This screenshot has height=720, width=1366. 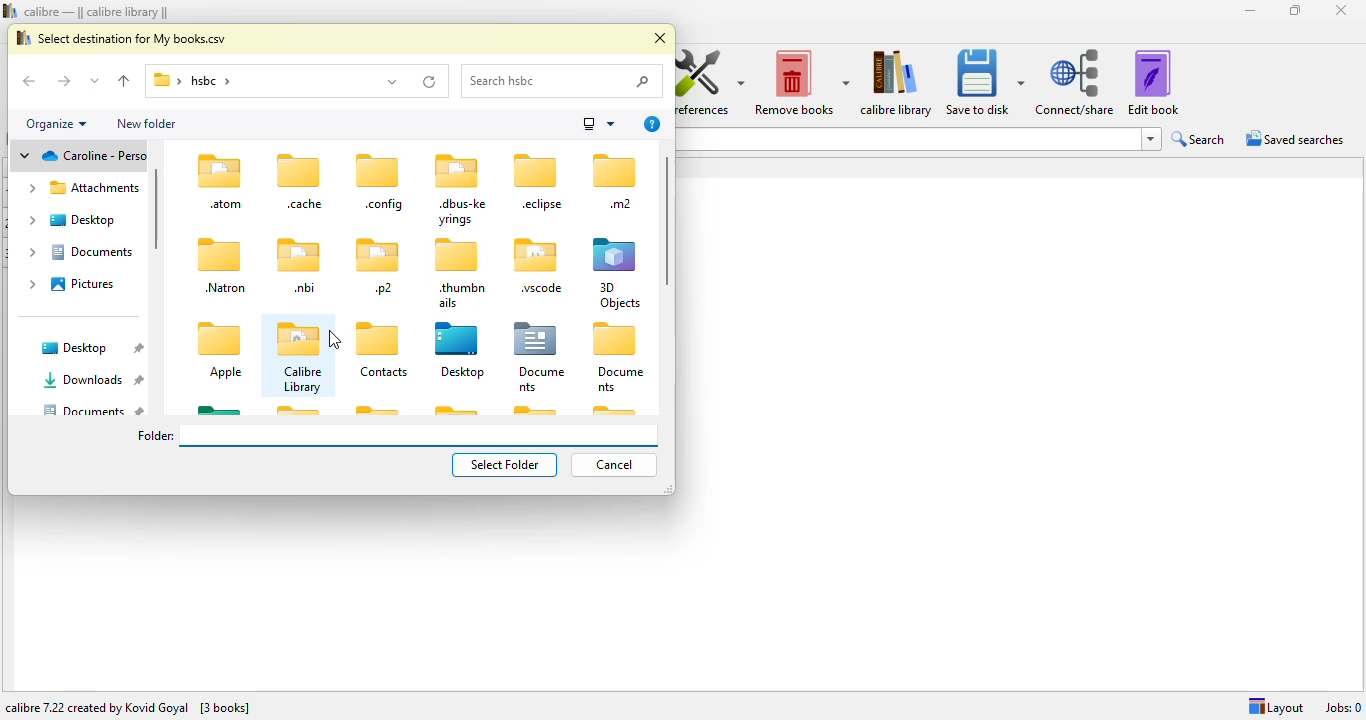 What do you see at coordinates (396, 436) in the screenshot?
I see `folder: ` at bounding box center [396, 436].